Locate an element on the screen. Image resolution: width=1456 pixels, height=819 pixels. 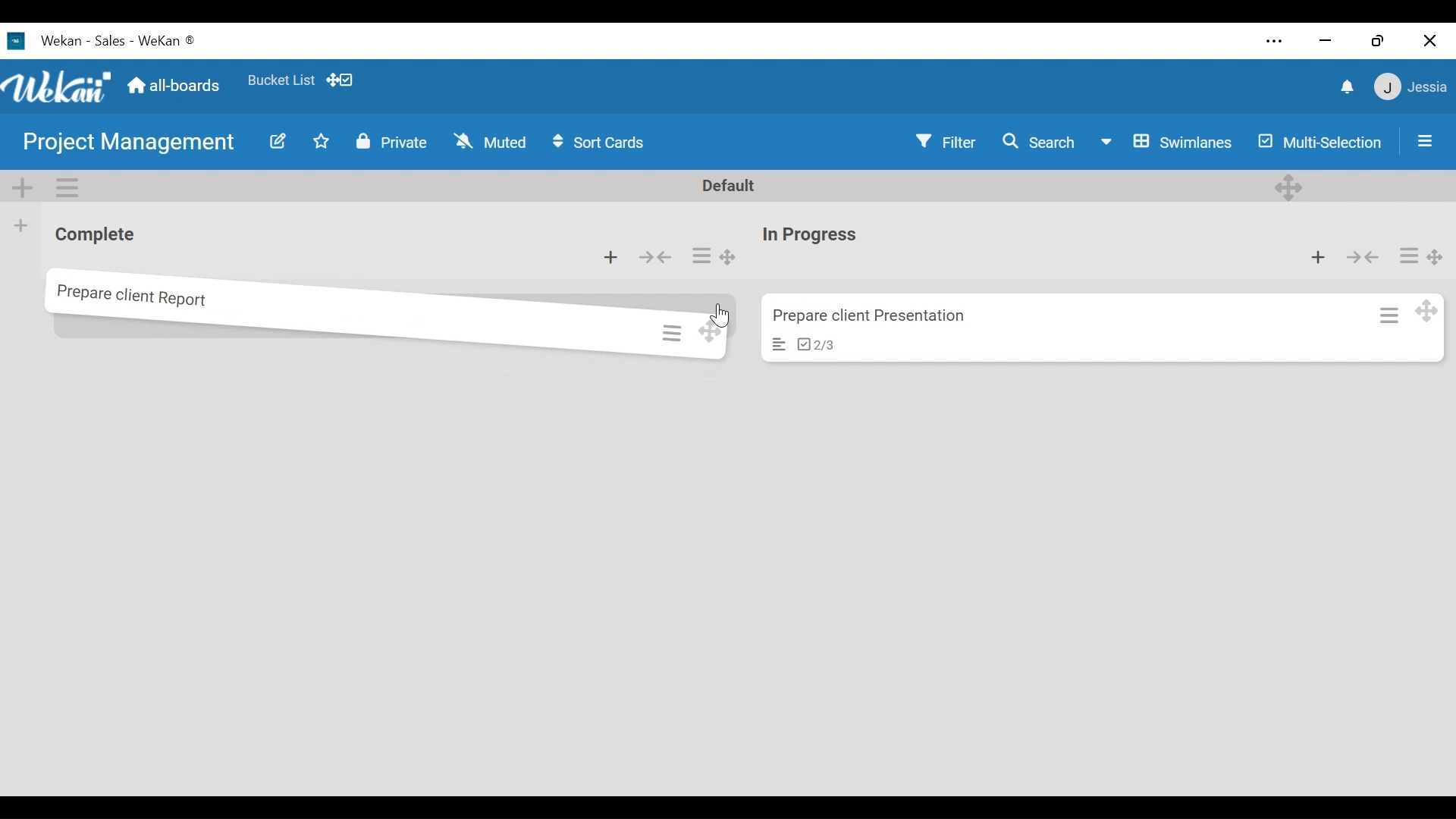
Add list  is located at coordinates (20, 225).